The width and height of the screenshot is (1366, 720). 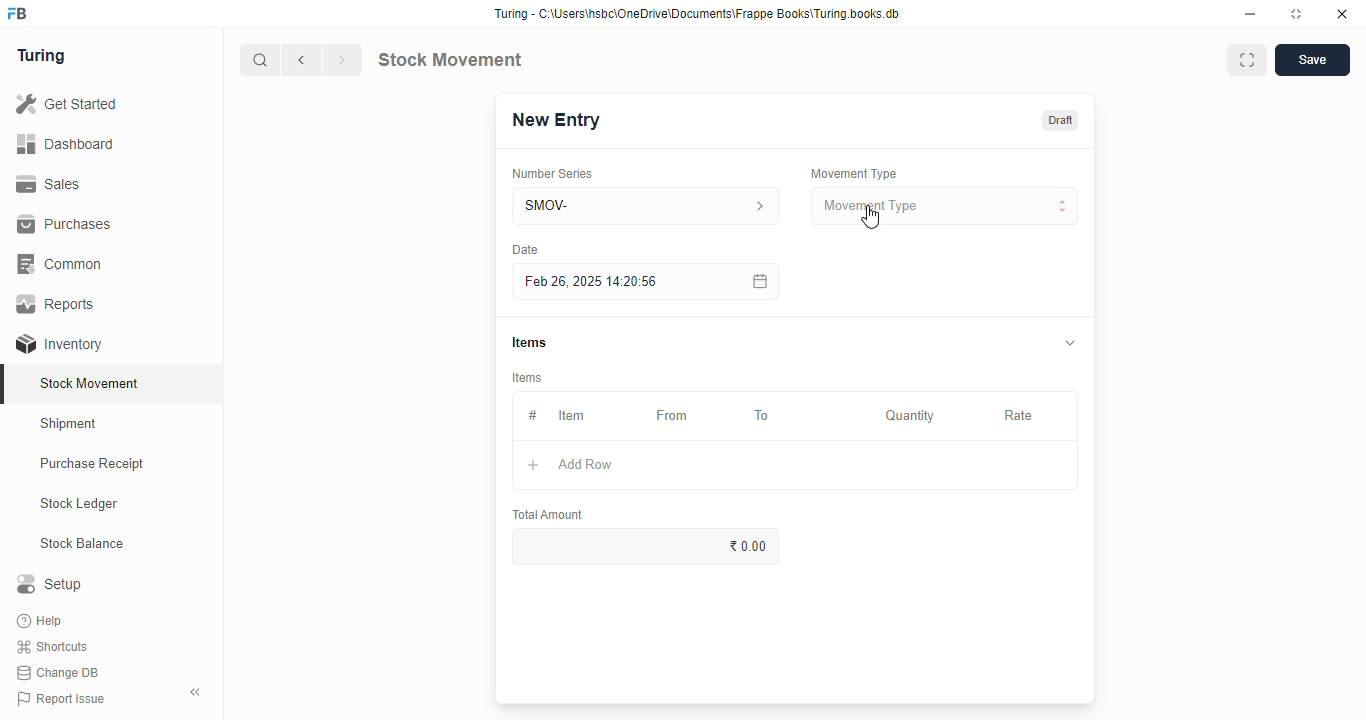 What do you see at coordinates (1250, 15) in the screenshot?
I see `minimize` at bounding box center [1250, 15].